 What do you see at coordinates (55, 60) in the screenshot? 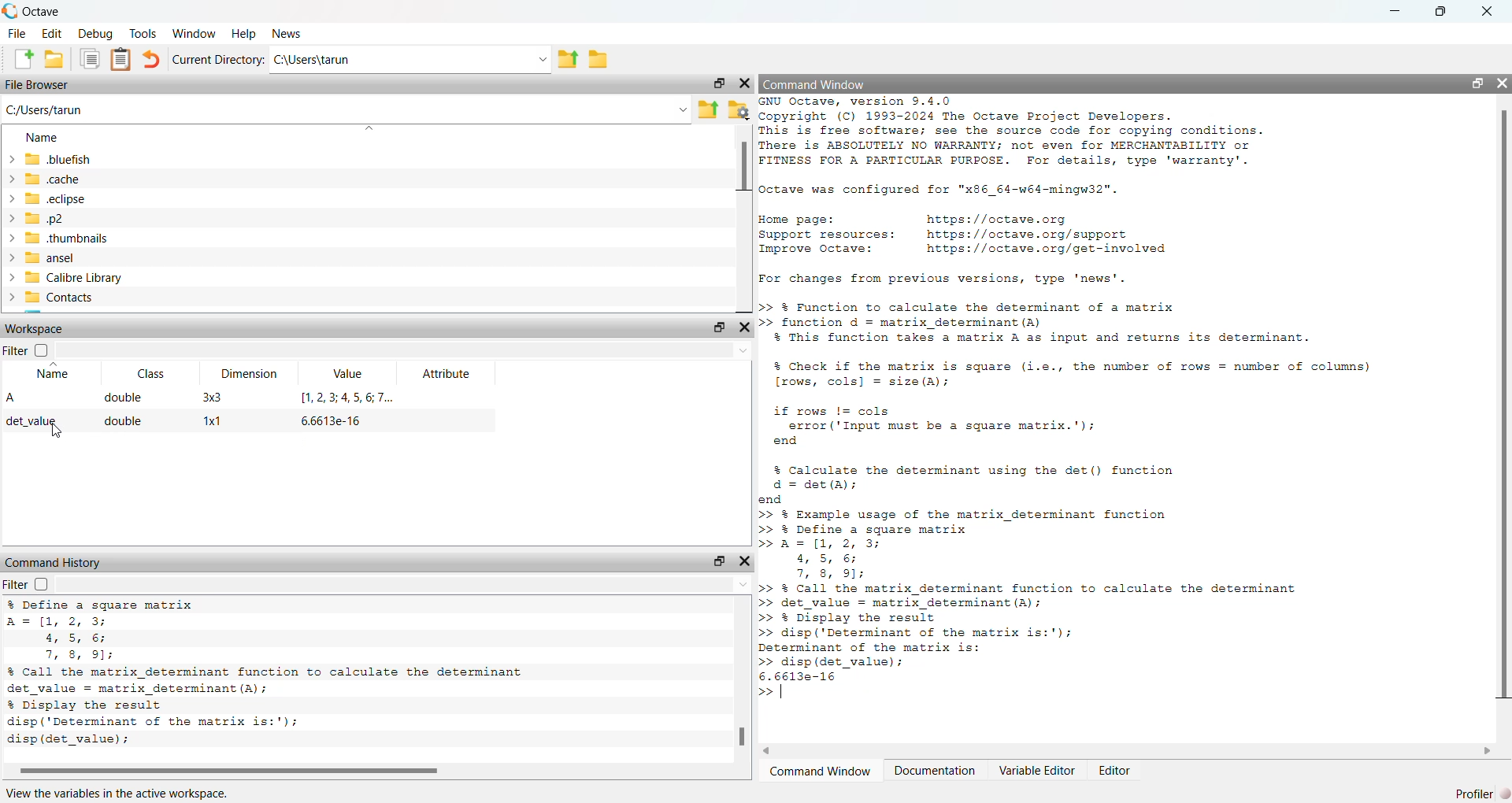
I see `open an existing file in editor` at bounding box center [55, 60].